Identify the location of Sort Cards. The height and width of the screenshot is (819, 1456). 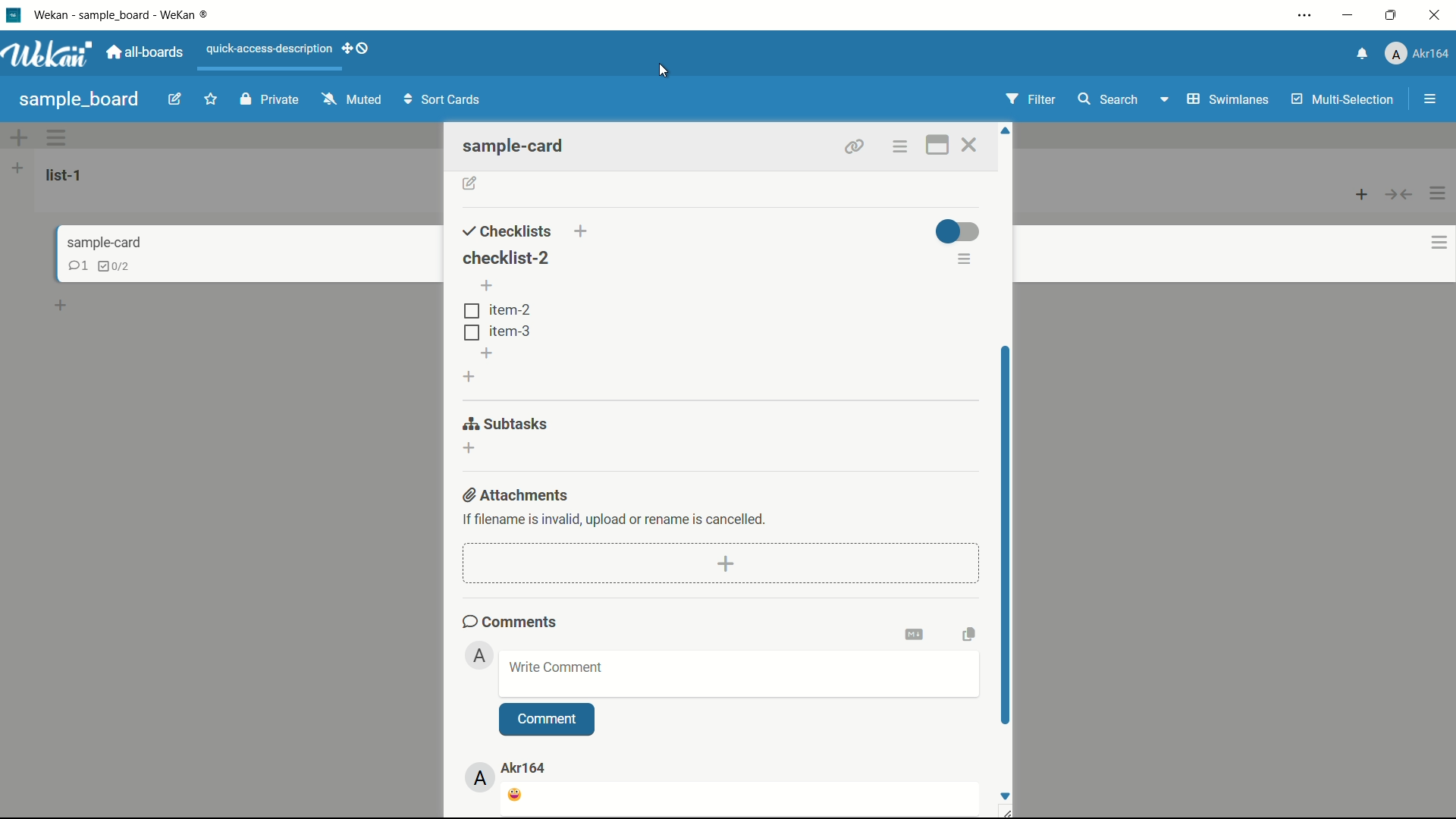
(445, 99).